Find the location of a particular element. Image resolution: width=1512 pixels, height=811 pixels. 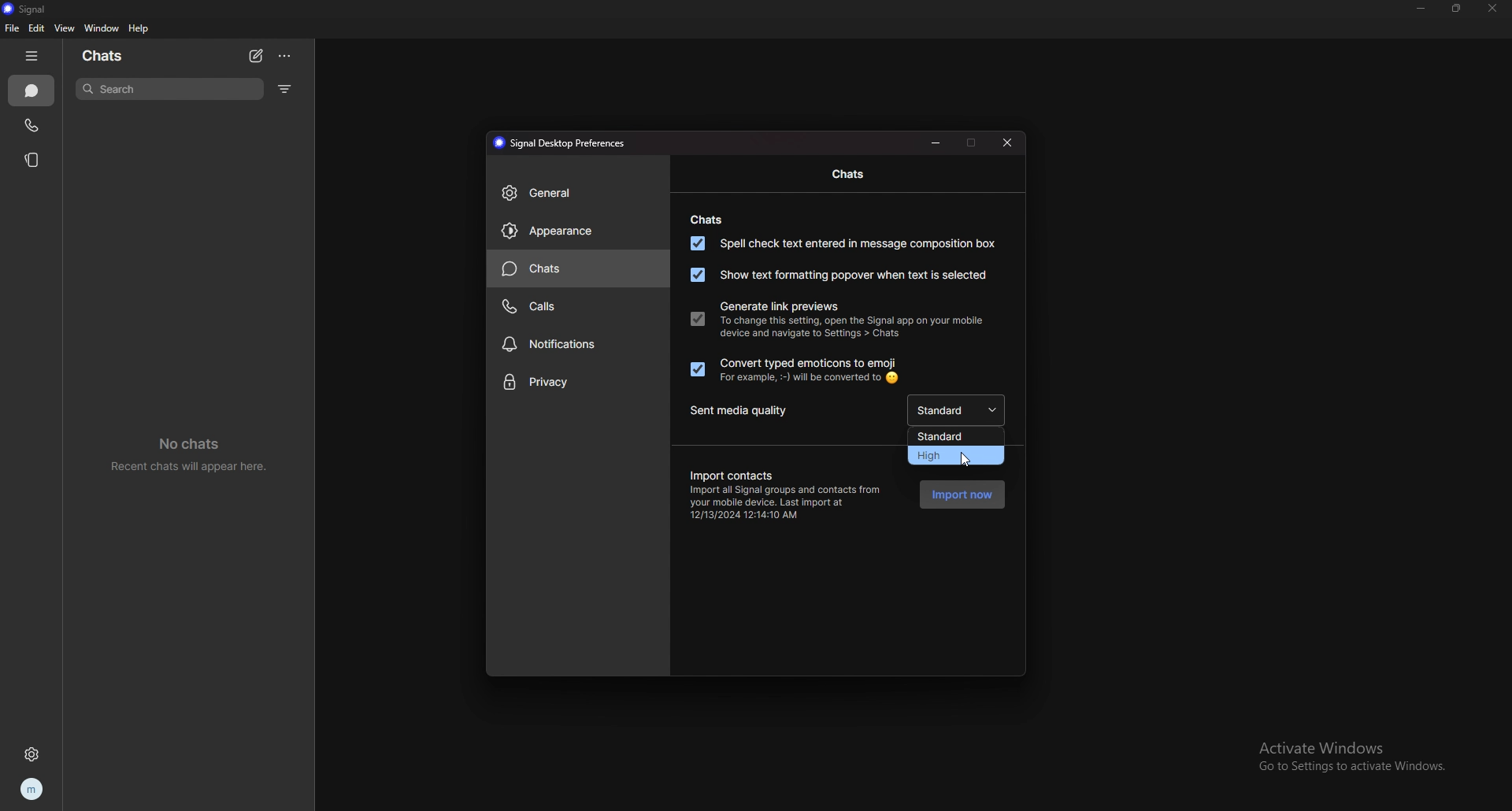

convert typed emoticons to emoji. for example :-) will be converted to is located at coordinates (794, 370).